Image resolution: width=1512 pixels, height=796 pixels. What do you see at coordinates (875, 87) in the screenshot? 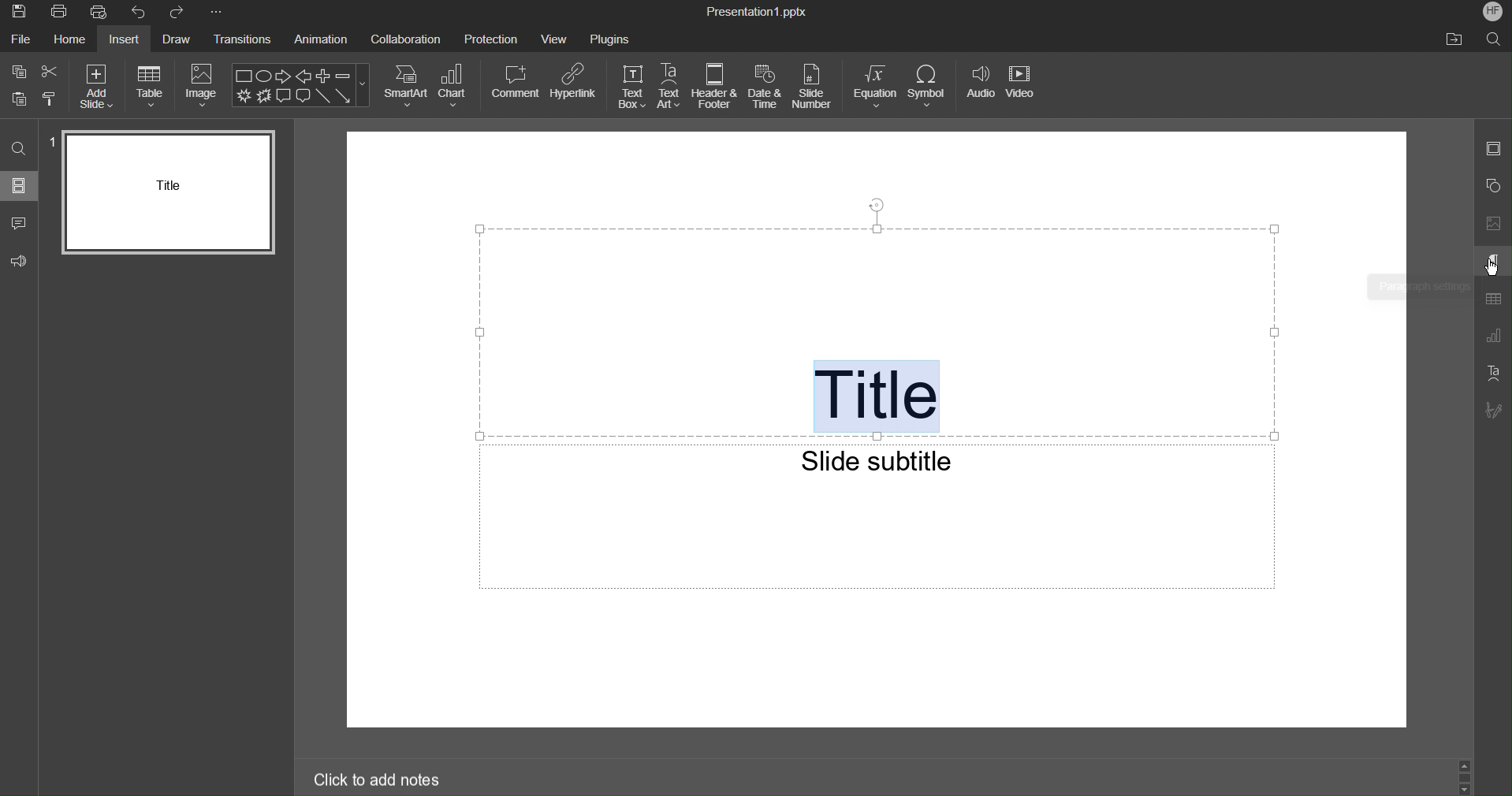
I see `Equation` at bounding box center [875, 87].